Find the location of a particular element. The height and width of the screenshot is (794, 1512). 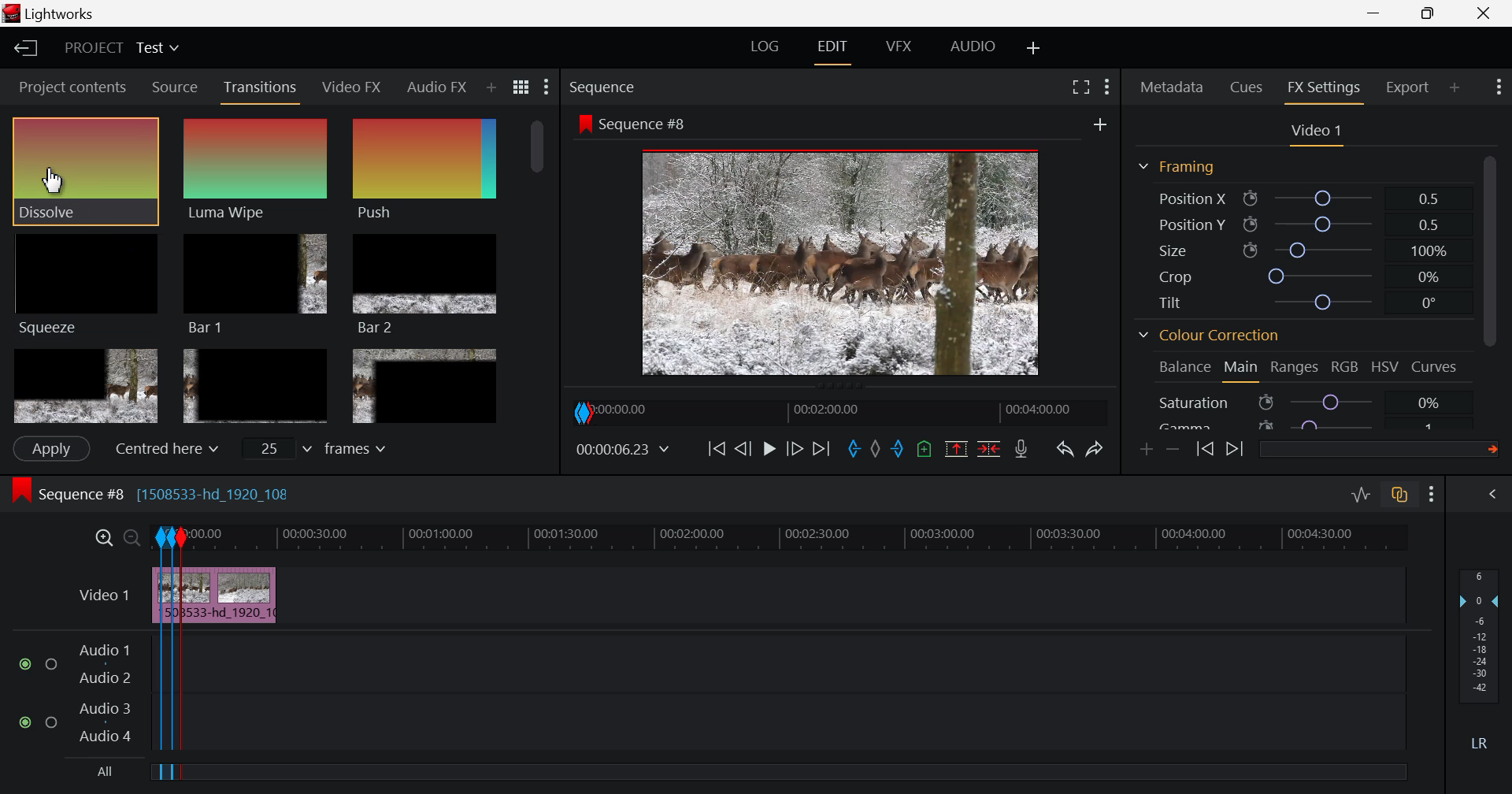

Show Settings is located at coordinates (1435, 493).